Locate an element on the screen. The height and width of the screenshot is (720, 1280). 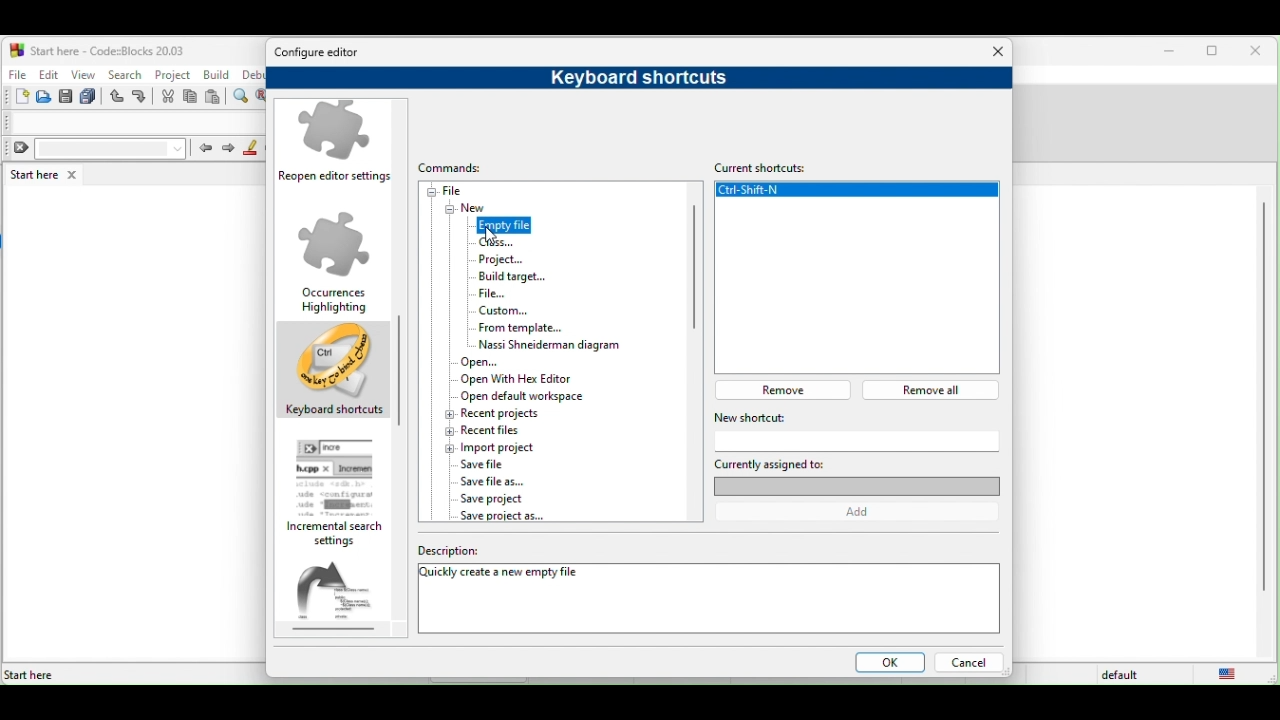
remove is located at coordinates (788, 389).